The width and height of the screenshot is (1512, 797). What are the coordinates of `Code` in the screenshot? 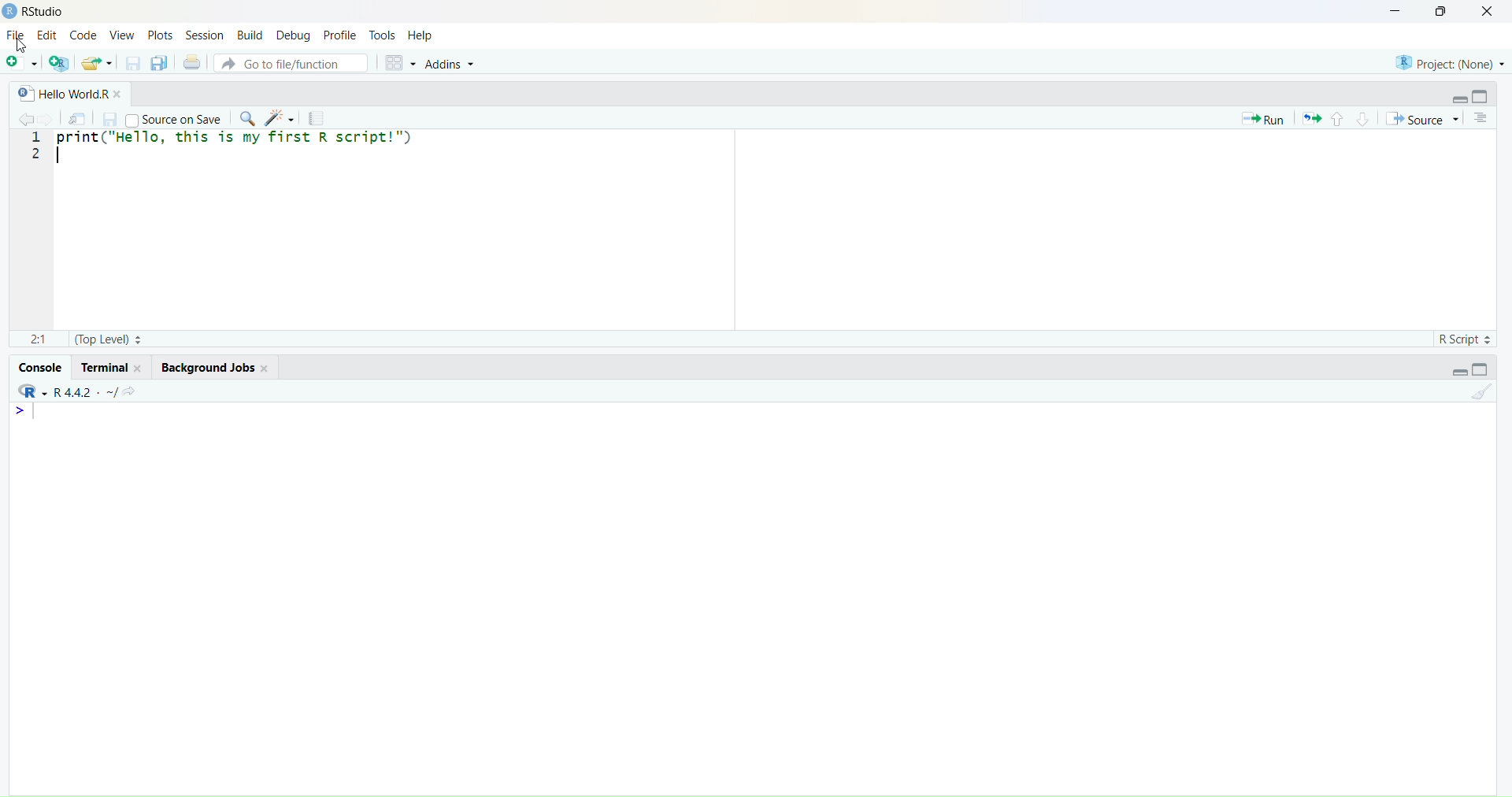 It's located at (84, 36).